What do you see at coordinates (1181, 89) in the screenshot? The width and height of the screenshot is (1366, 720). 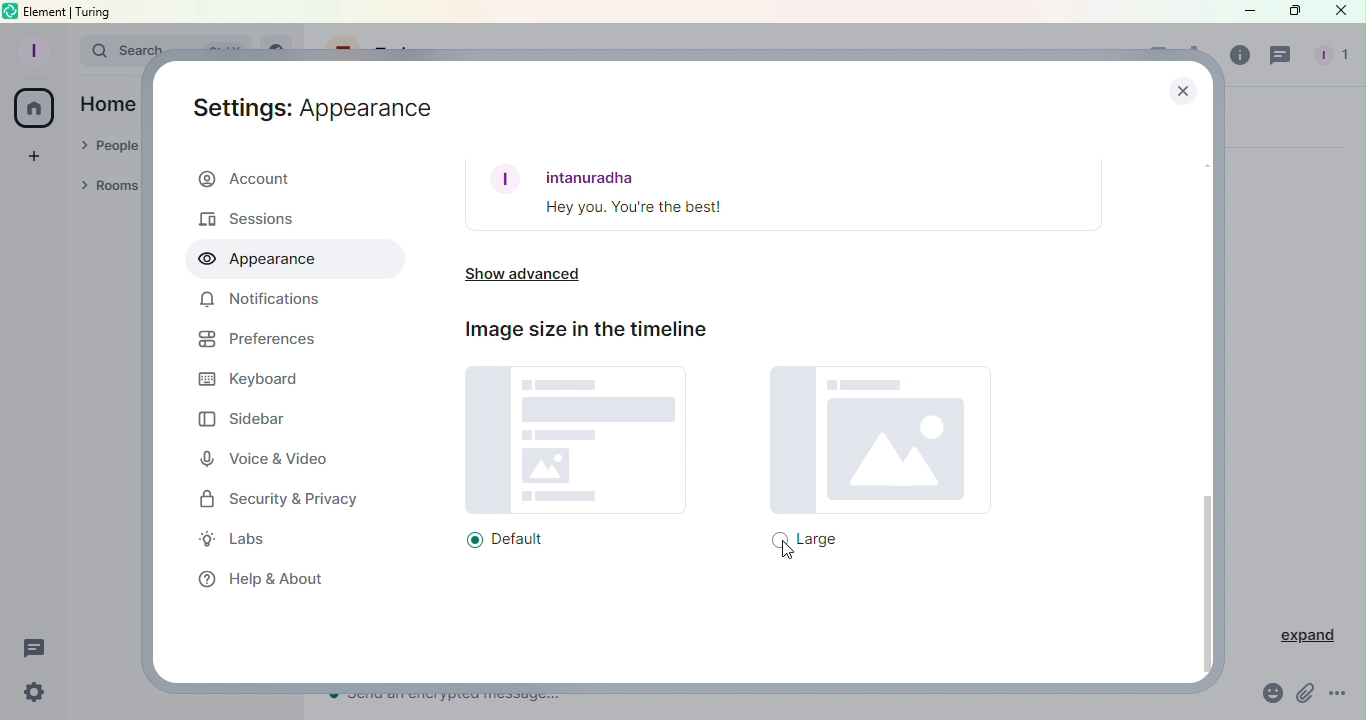 I see `Close` at bounding box center [1181, 89].